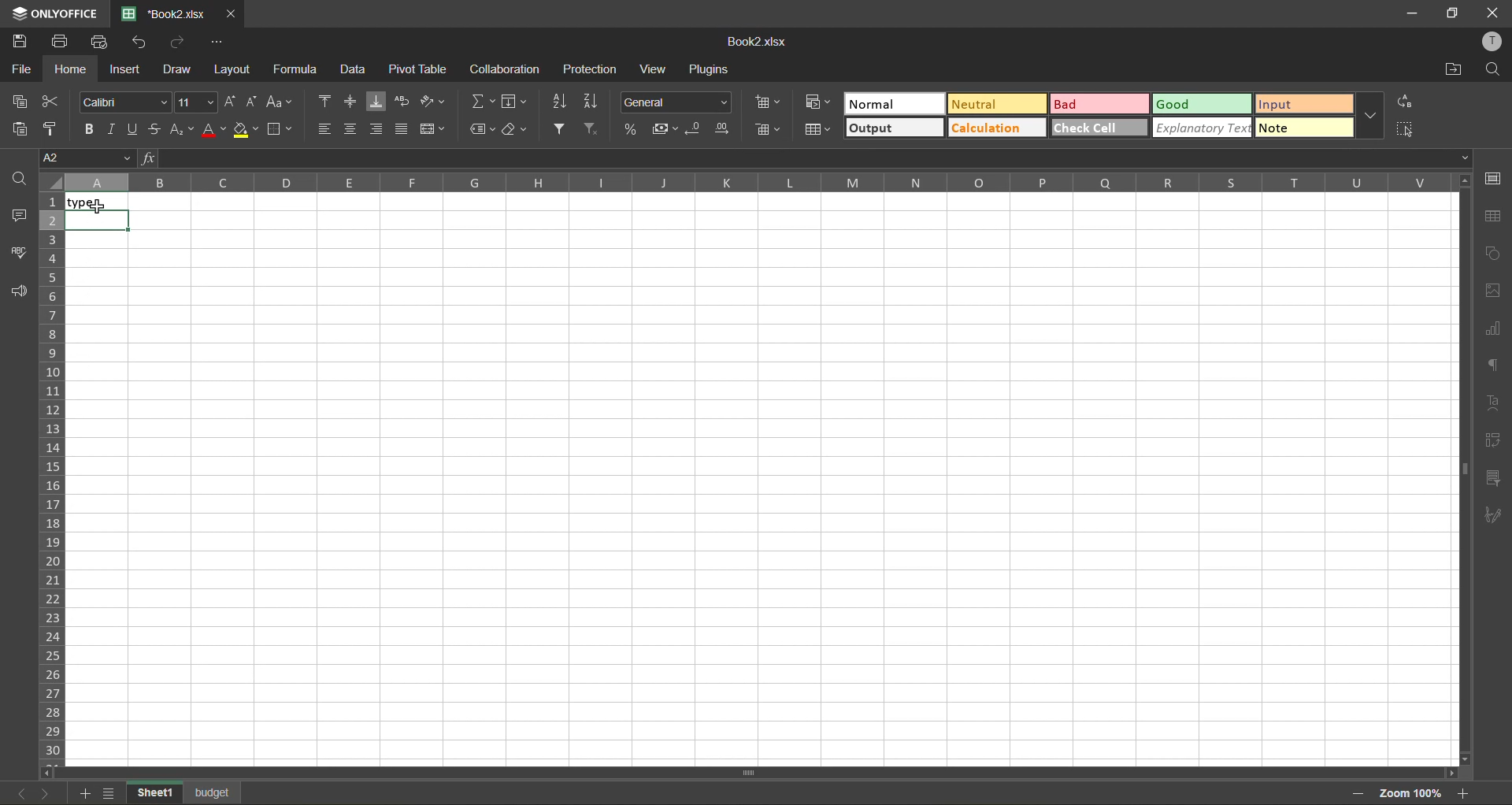  What do you see at coordinates (1403, 13) in the screenshot?
I see `minimize` at bounding box center [1403, 13].